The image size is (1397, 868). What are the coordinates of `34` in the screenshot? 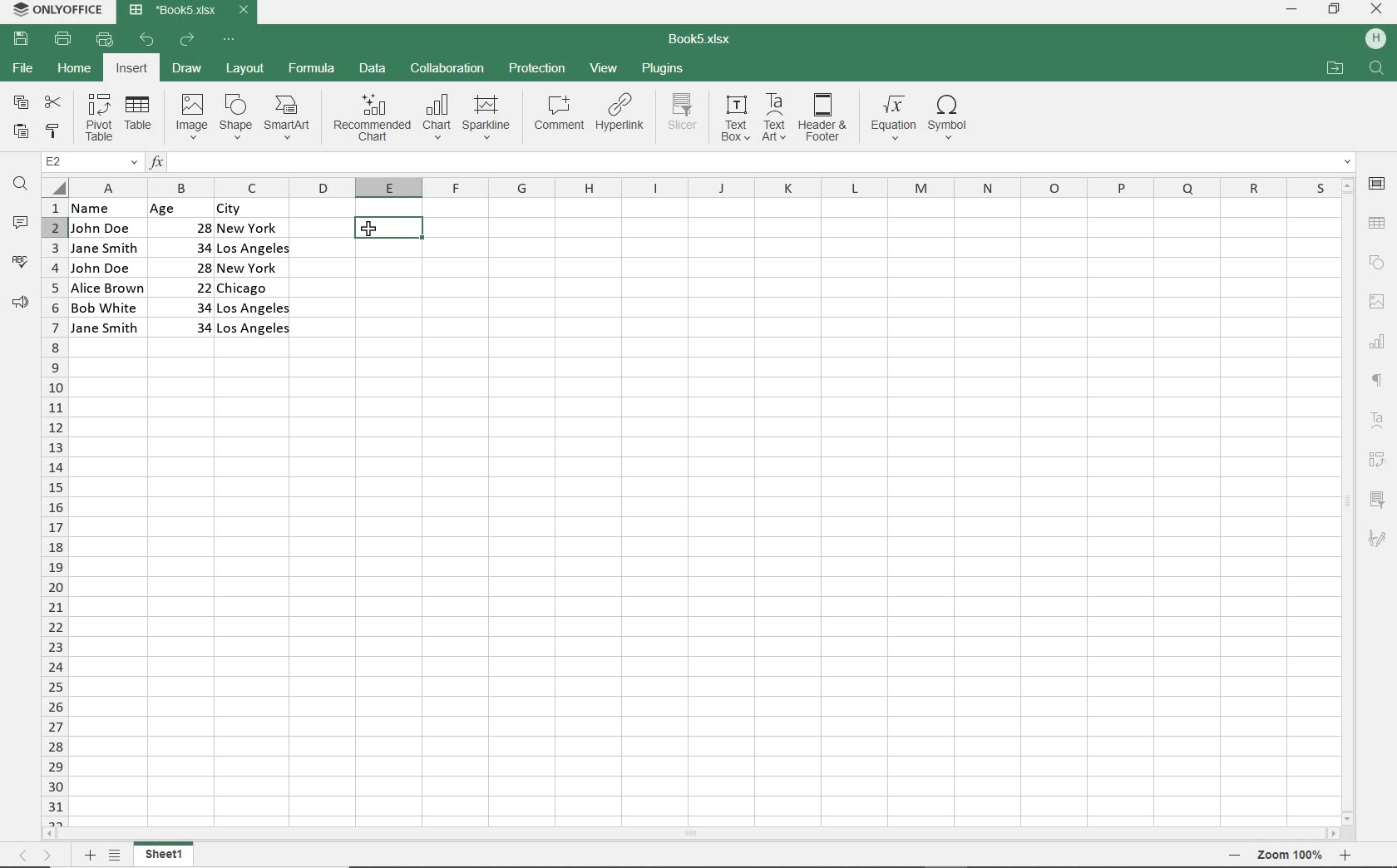 It's located at (197, 328).